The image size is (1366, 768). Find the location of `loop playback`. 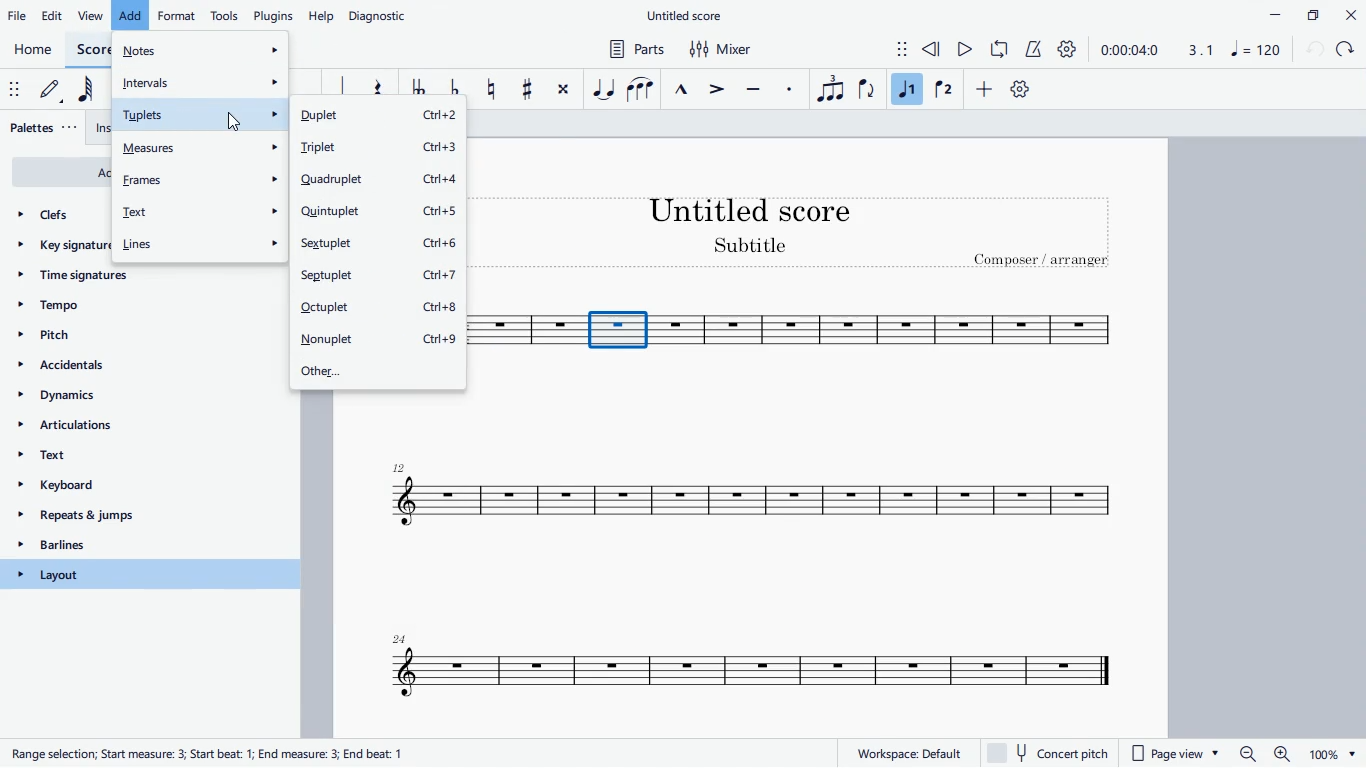

loop playback is located at coordinates (1001, 49).